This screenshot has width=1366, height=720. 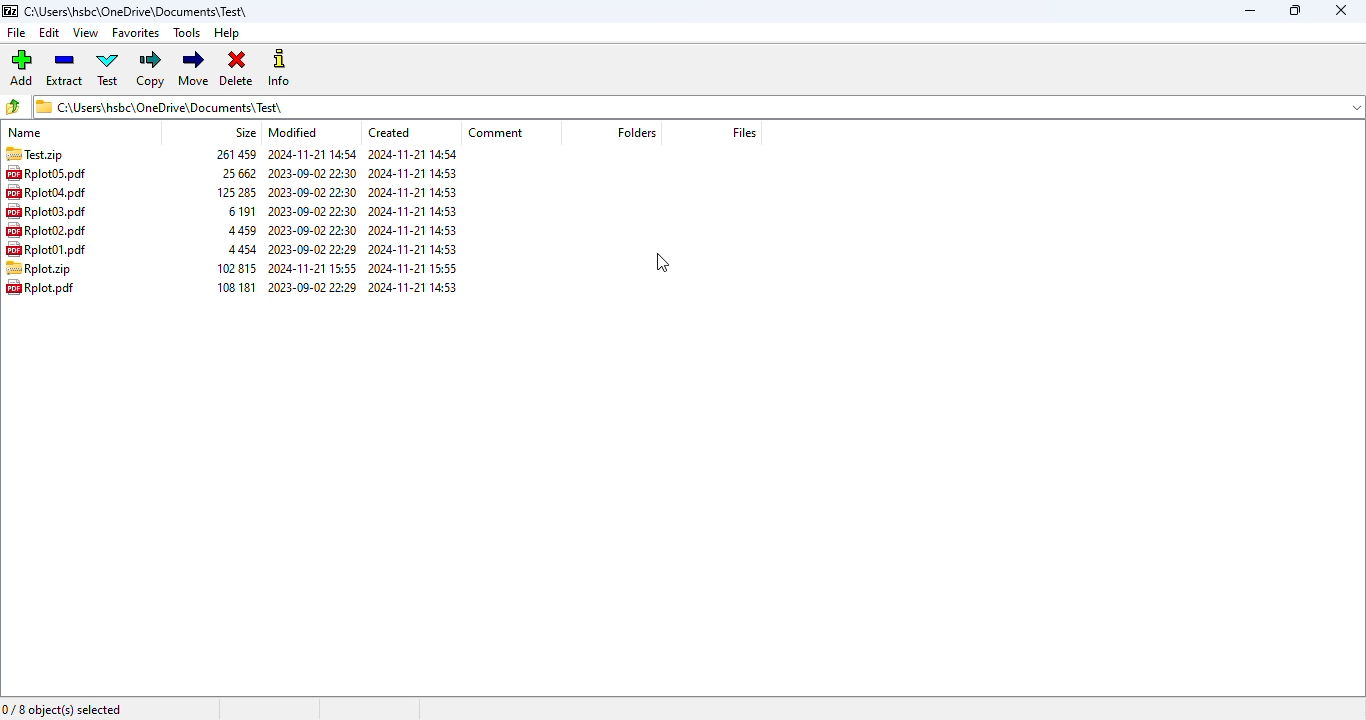 What do you see at coordinates (237, 68) in the screenshot?
I see `delete` at bounding box center [237, 68].